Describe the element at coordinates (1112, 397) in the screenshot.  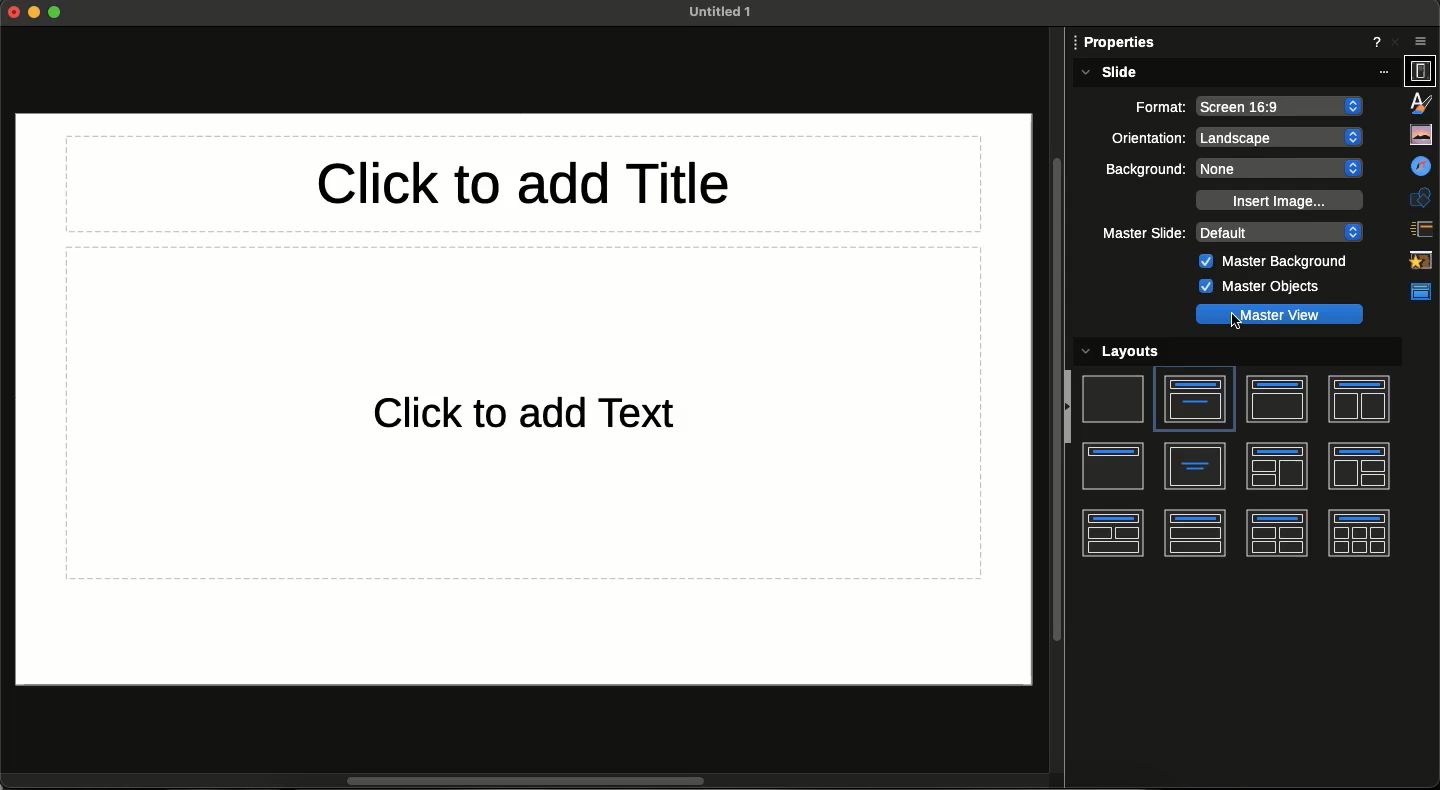
I see `Slide` at that location.